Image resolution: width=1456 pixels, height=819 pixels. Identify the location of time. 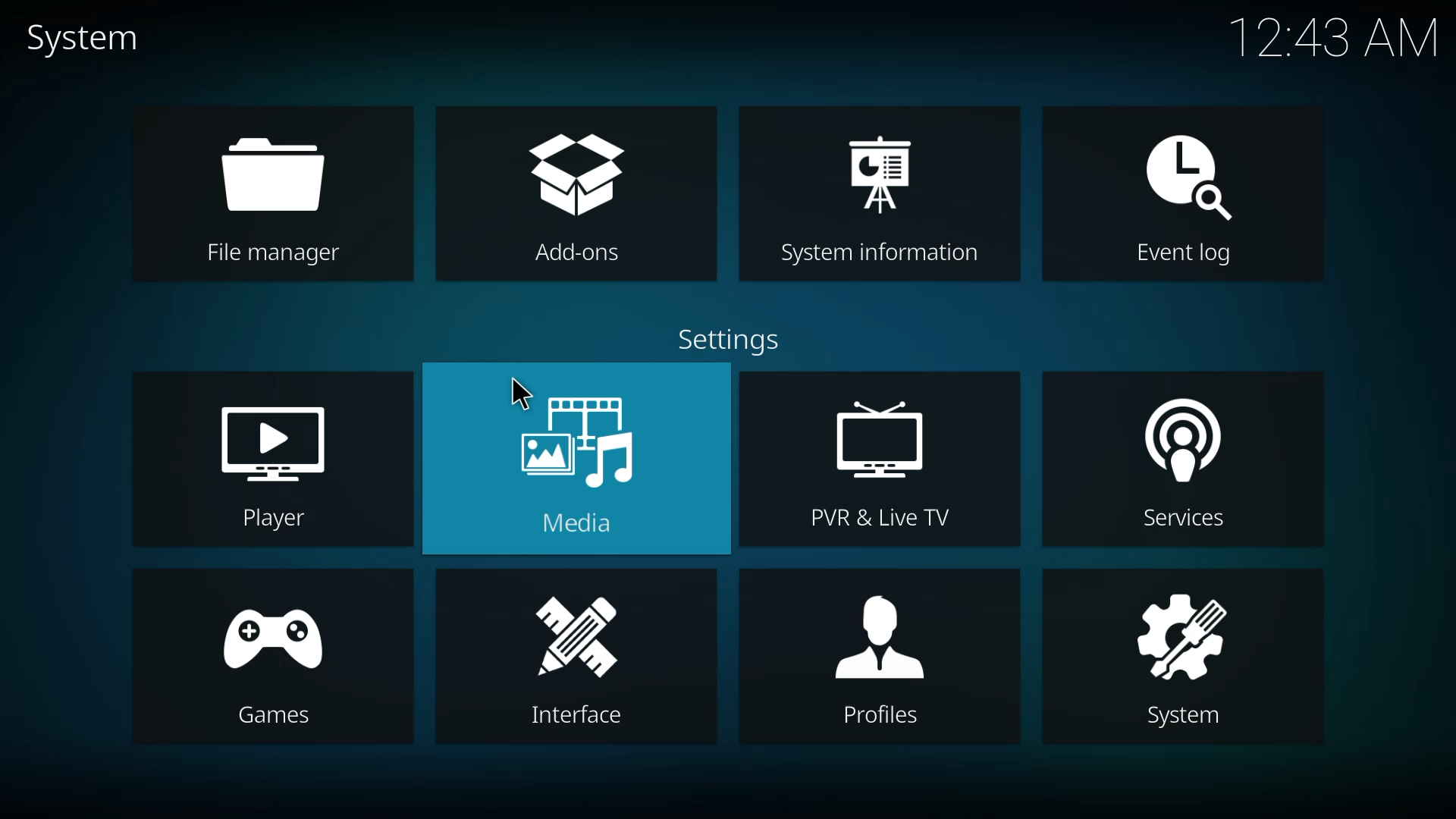
(1336, 36).